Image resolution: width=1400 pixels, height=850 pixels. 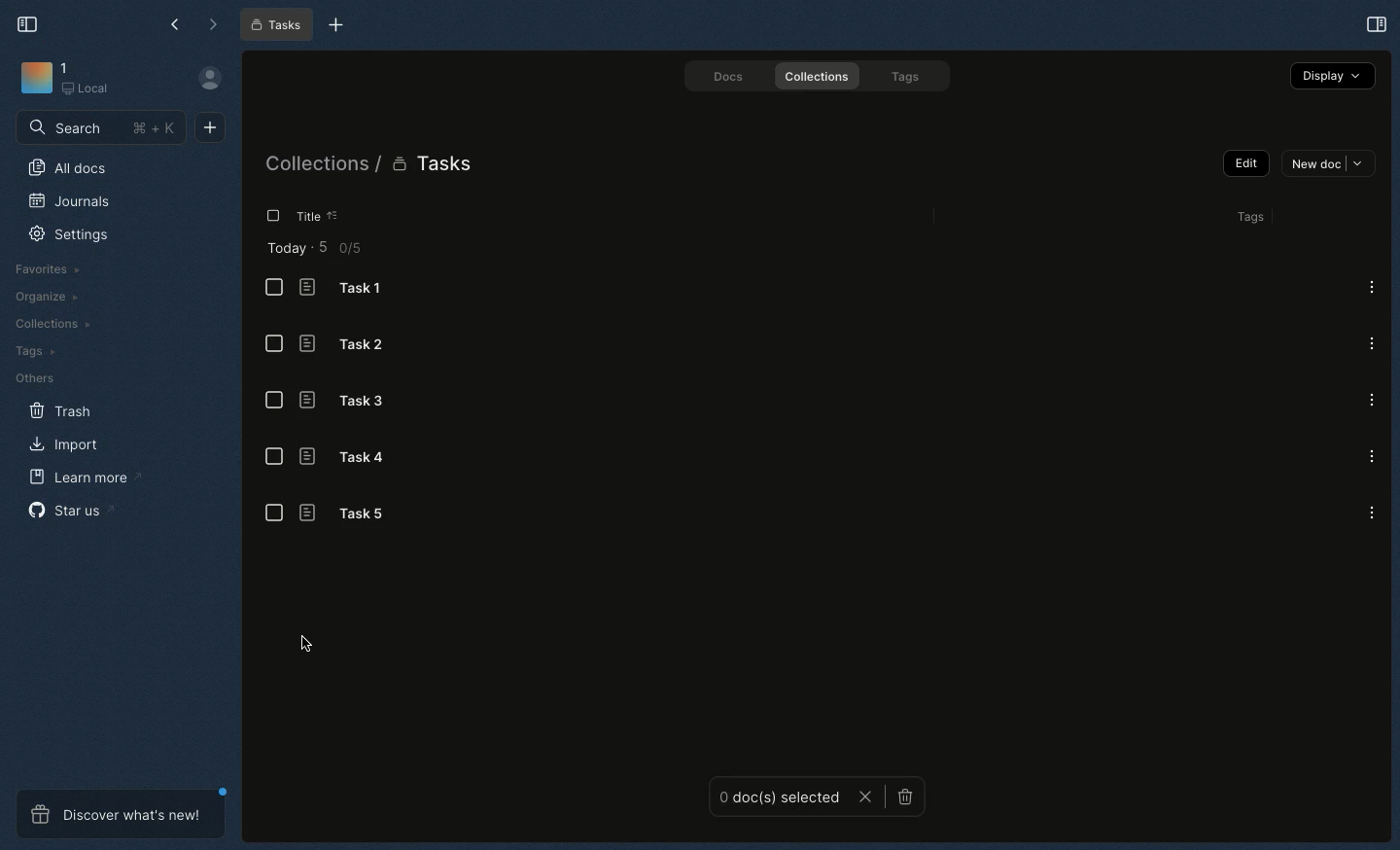 What do you see at coordinates (288, 249) in the screenshot?
I see `Today` at bounding box center [288, 249].